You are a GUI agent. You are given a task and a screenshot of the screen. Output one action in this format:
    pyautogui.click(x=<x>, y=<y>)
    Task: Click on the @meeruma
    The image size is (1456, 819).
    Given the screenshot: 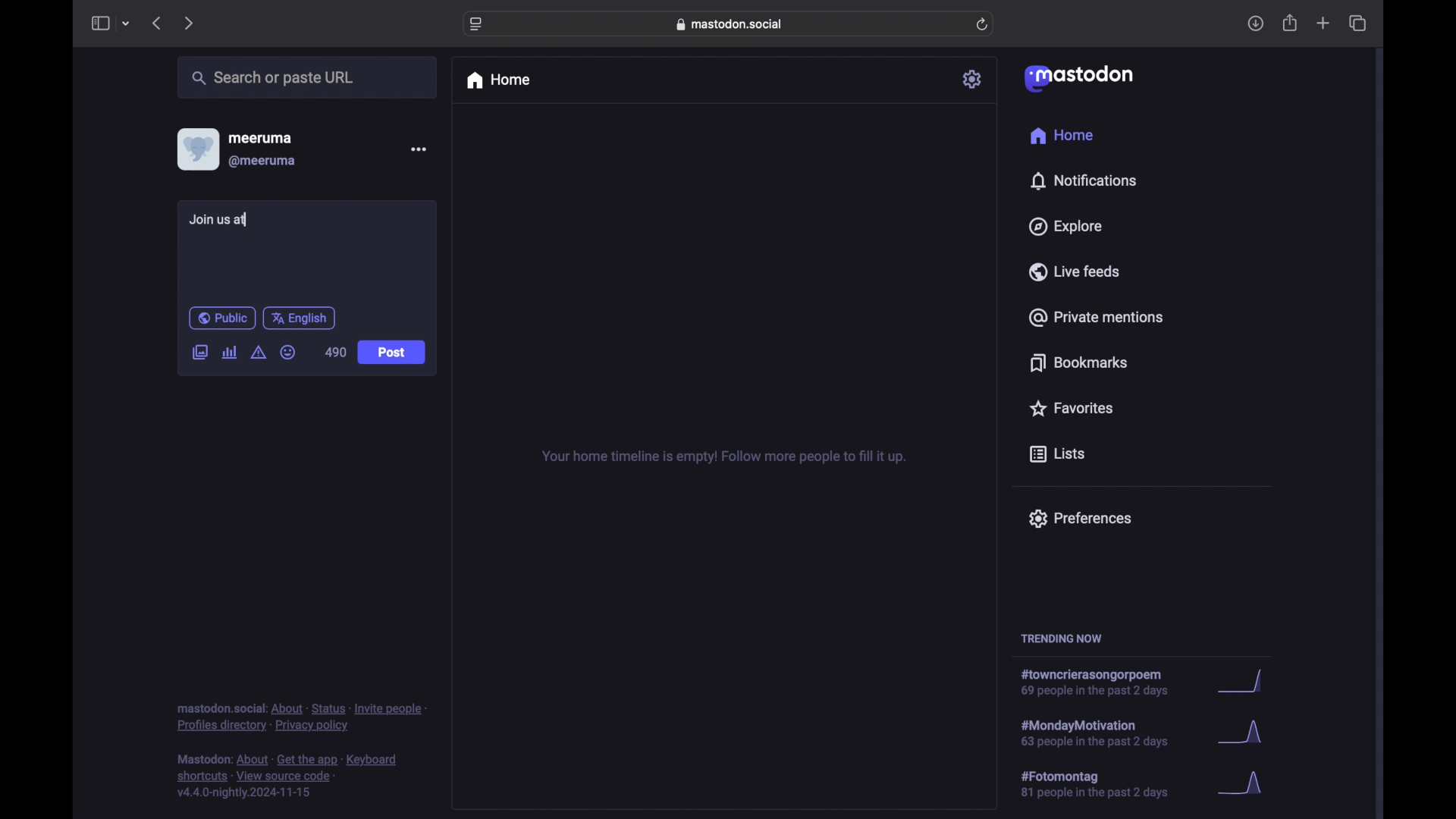 What is the action you would take?
    pyautogui.click(x=262, y=162)
    